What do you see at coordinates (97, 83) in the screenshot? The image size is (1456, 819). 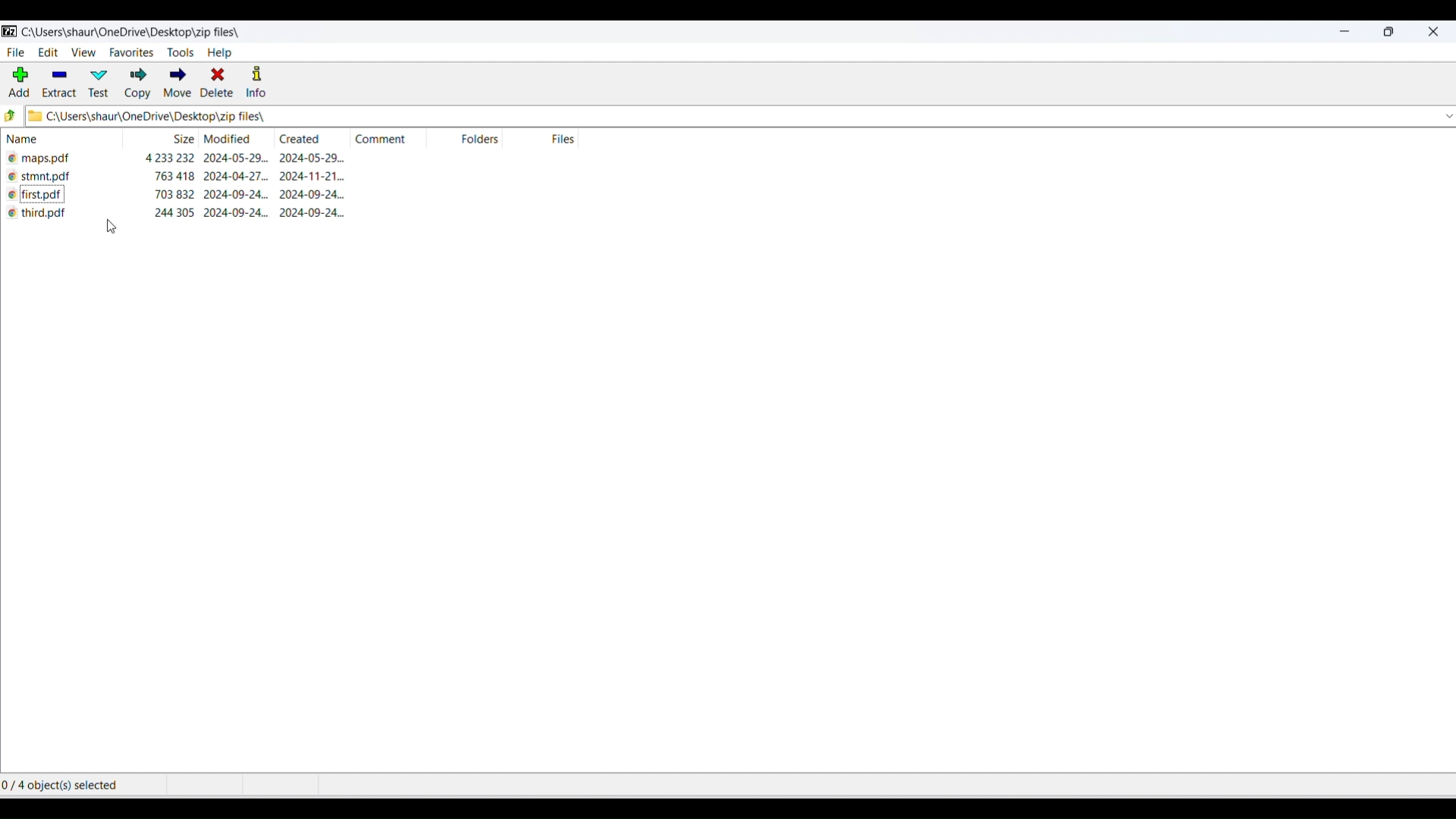 I see `test` at bounding box center [97, 83].